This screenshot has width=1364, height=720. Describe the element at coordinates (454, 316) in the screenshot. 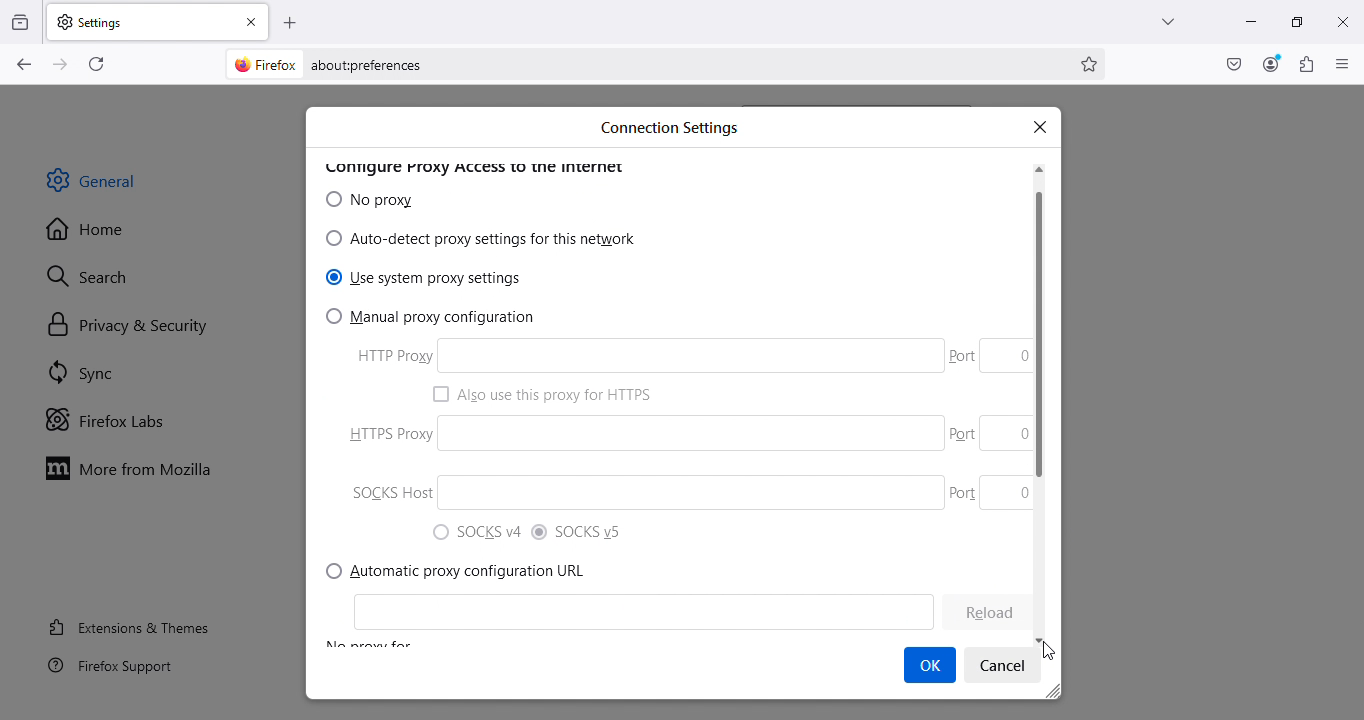

I see `7) Manual proxy configuration` at that location.